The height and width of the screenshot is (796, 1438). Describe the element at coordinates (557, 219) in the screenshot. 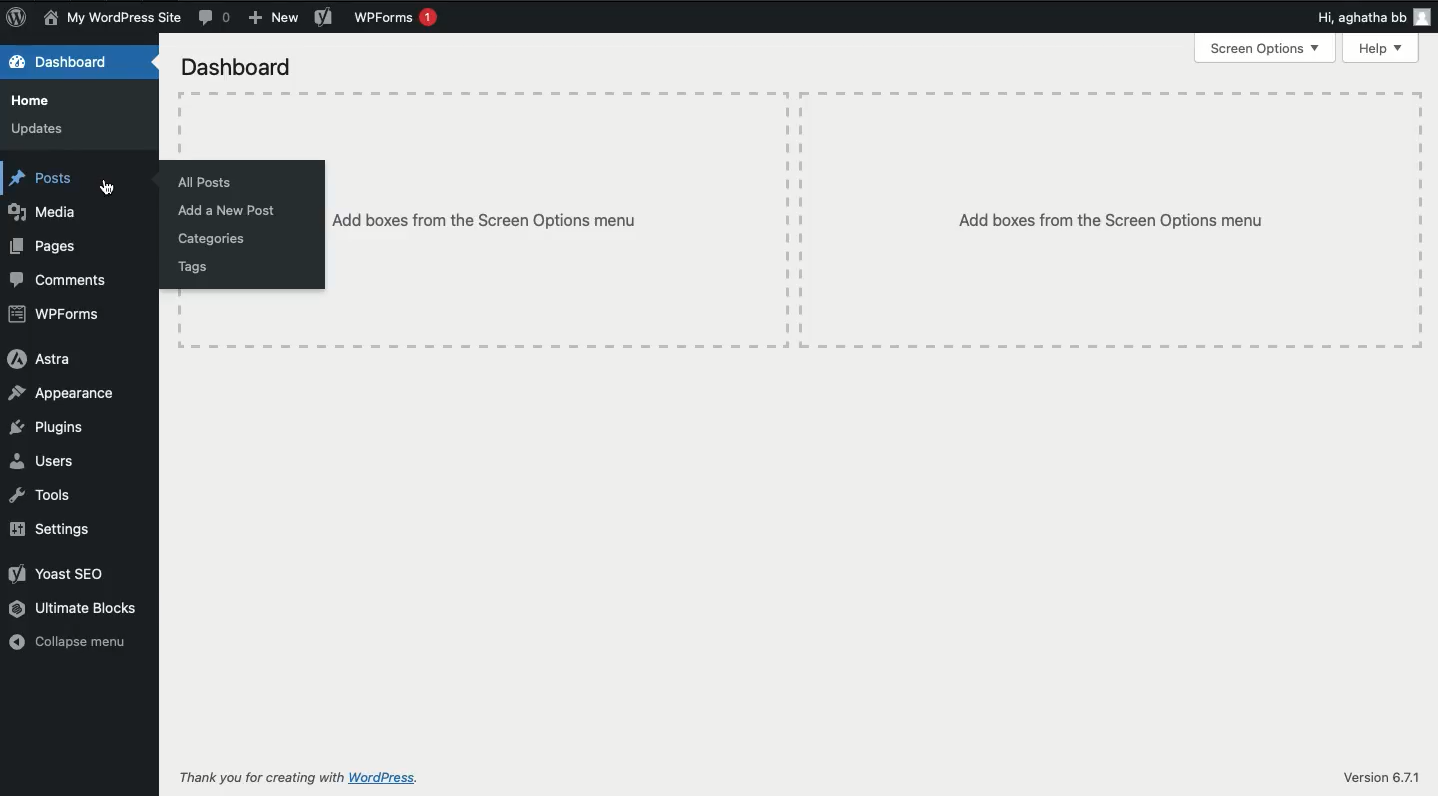

I see `` at that location.